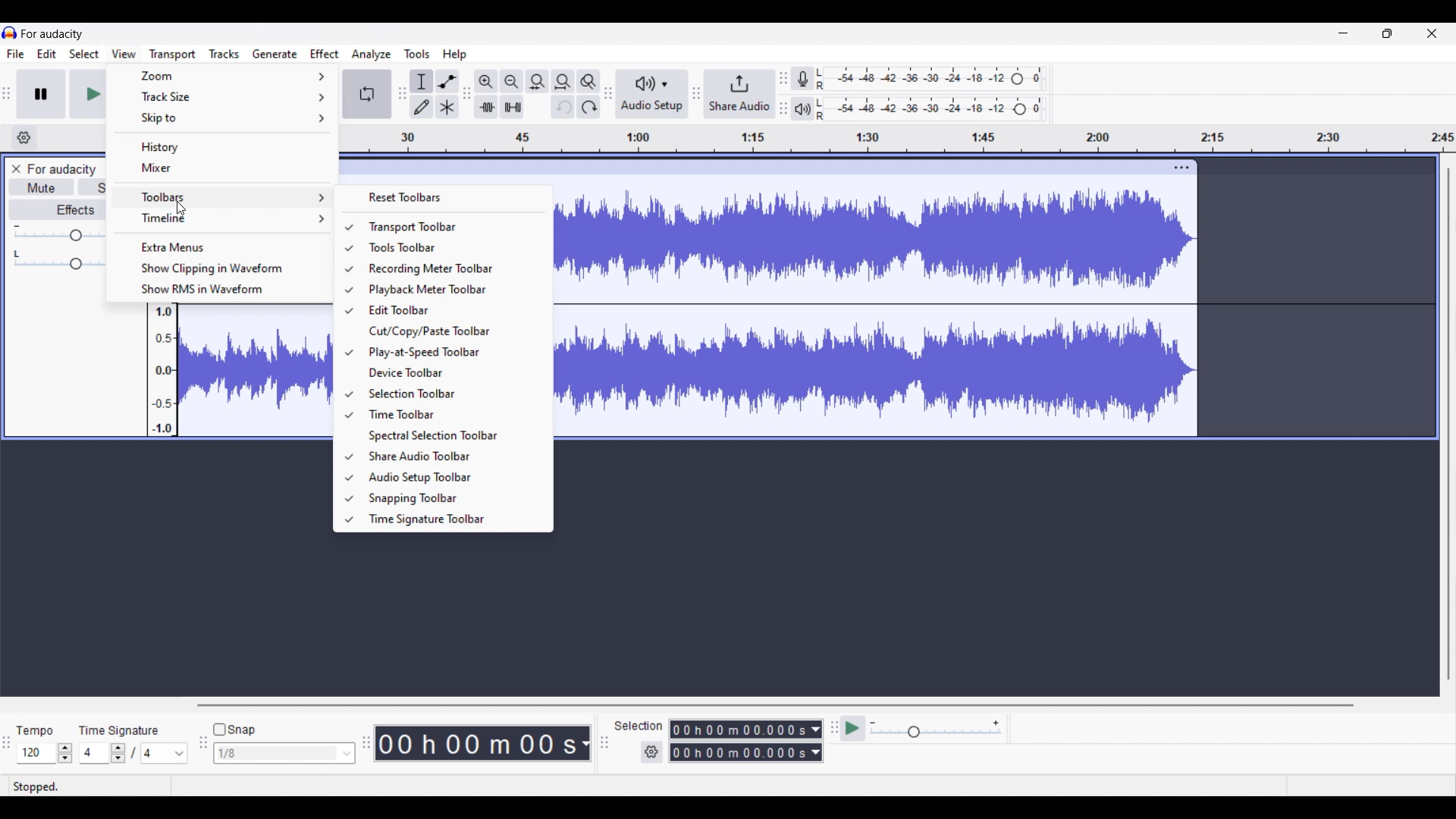  Describe the element at coordinates (639, 726) in the screenshot. I see `selection` at that location.